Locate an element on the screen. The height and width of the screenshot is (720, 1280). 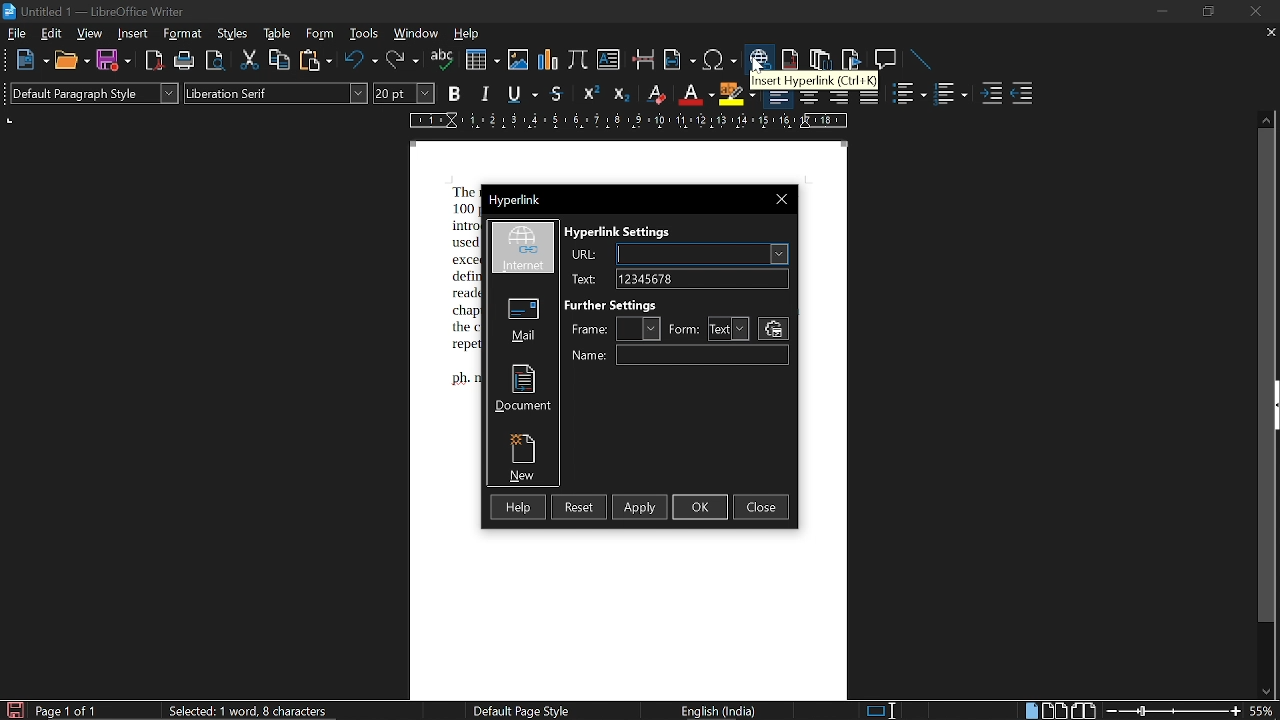
file is located at coordinates (18, 34).